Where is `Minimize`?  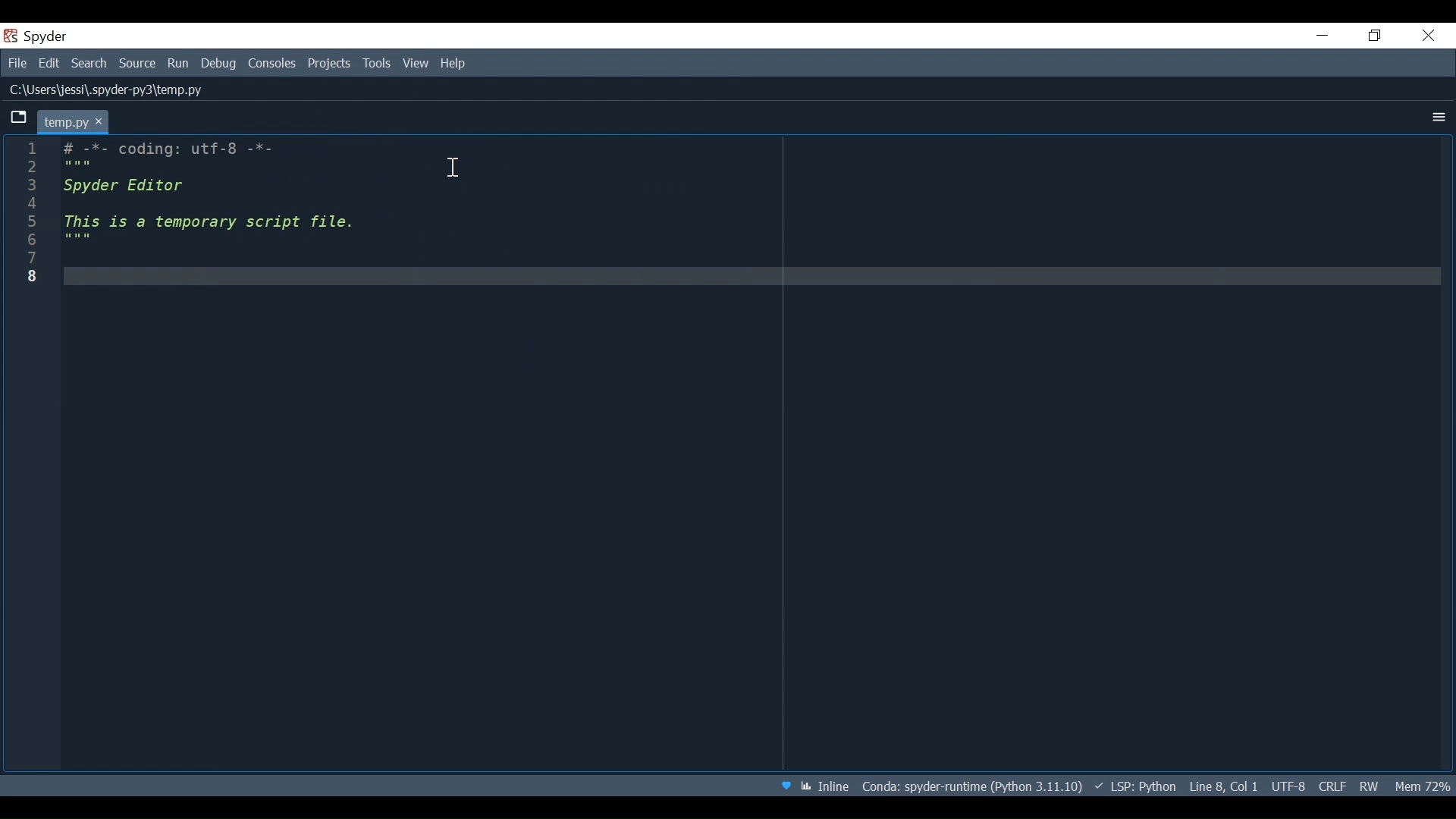 Minimize is located at coordinates (1322, 35).